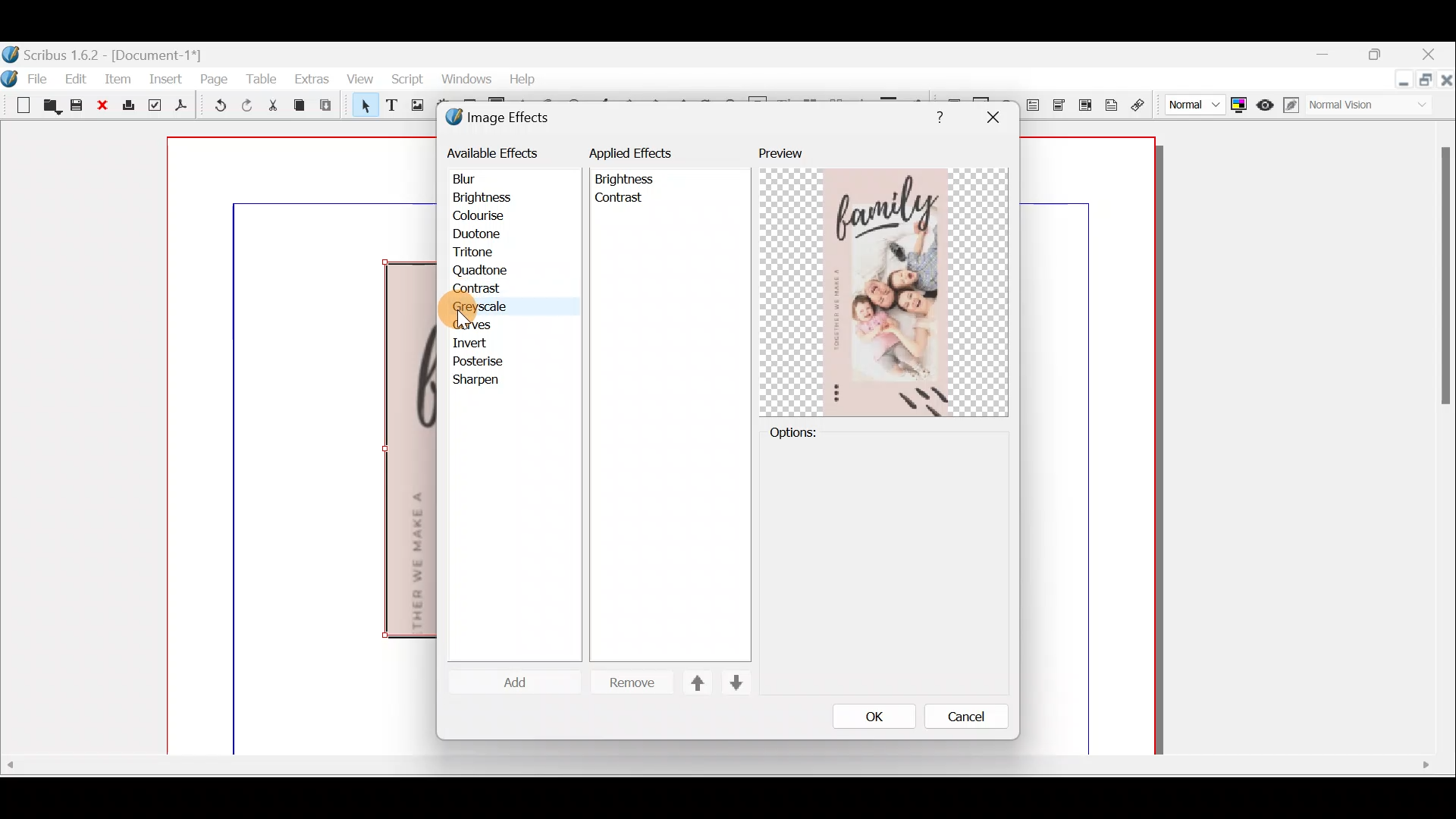 The width and height of the screenshot is (1456, 819). What do you see at coordinates (363, 81) in the screenshot?
I see `View` at bounding box center [363, 81].